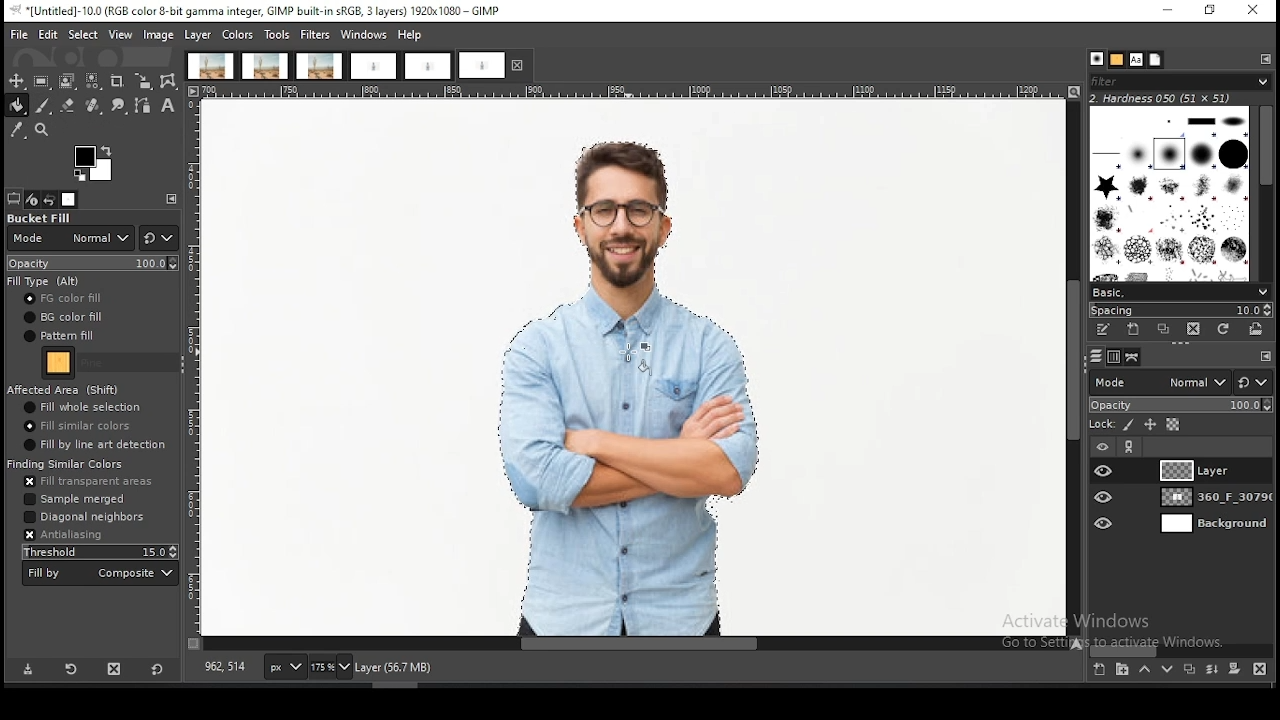 Image resolution: width=1280 pixels, height=720 pixels. Describe the element at coordinates (1105, 471) in the screenshot. I see `layer visibility on/off` at that location.